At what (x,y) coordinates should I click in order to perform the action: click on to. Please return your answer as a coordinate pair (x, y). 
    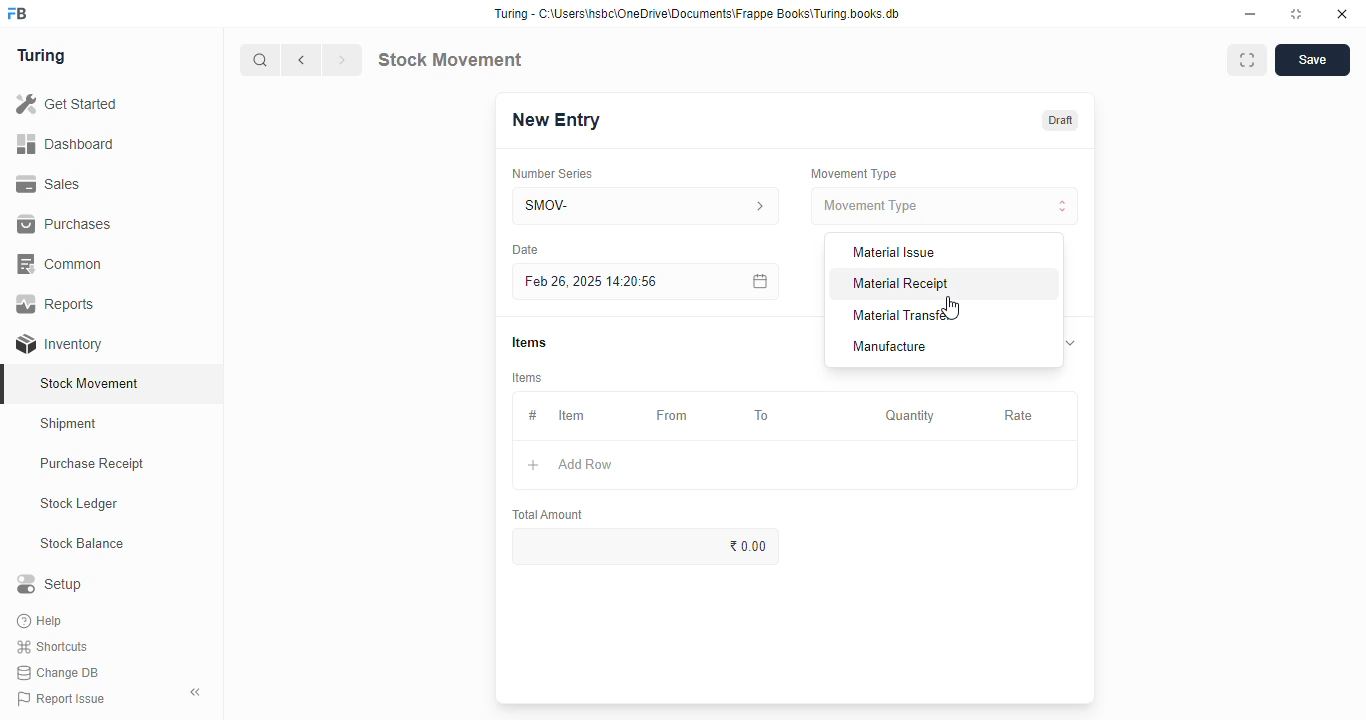
    Looking at the image, I should click on (763, 416).